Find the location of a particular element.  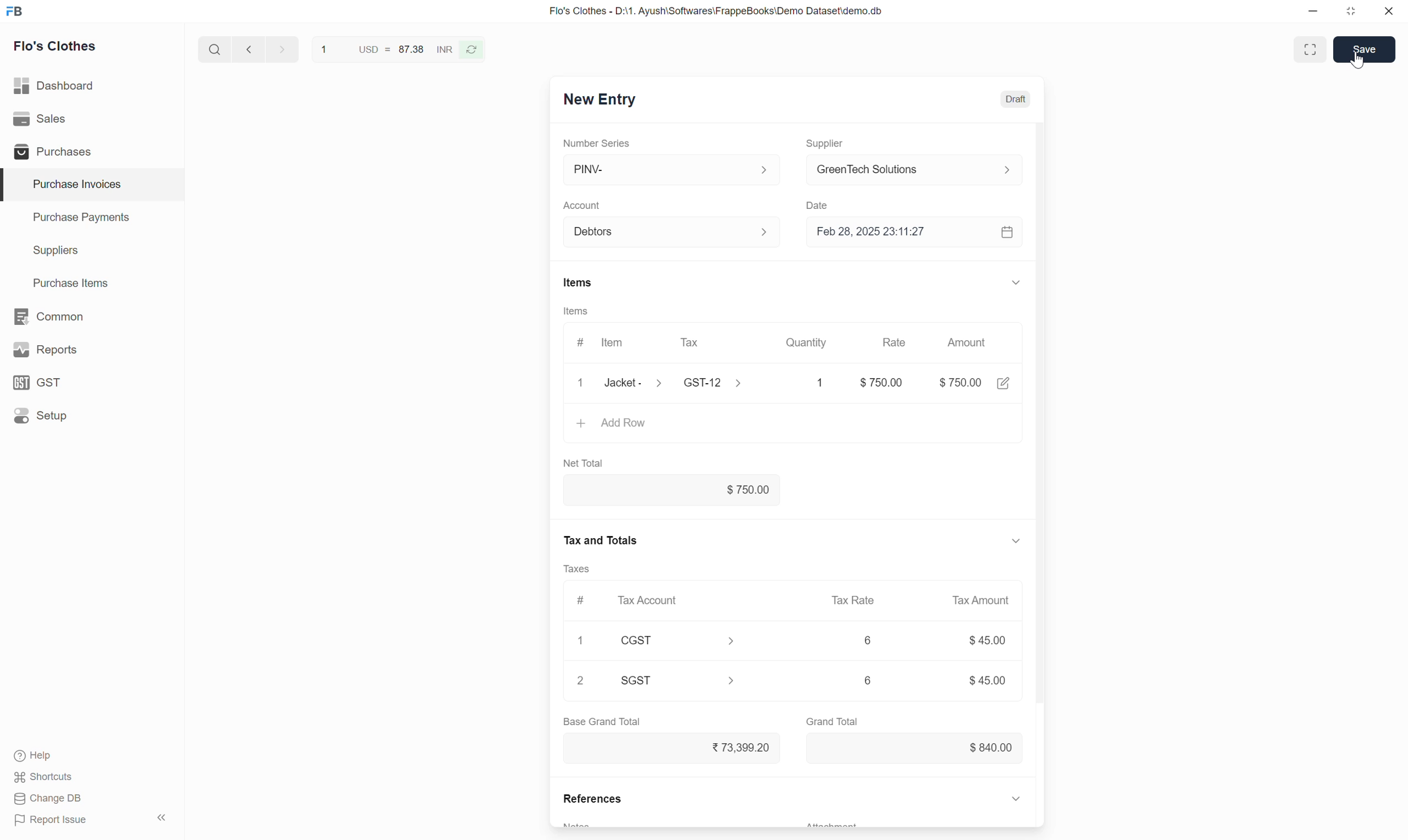

Draft is located at coordinates (1016, 99).